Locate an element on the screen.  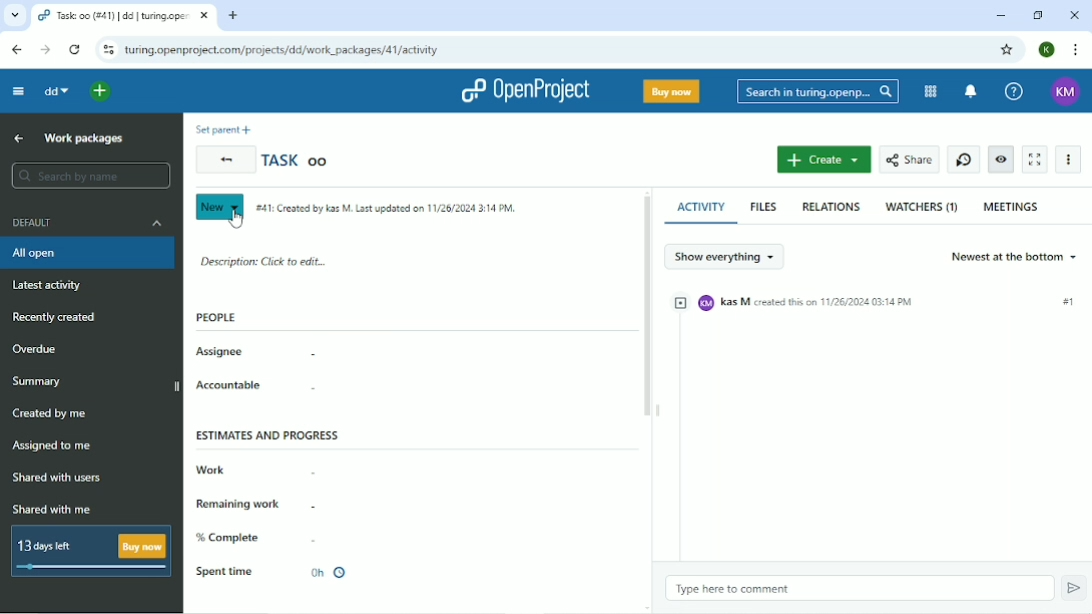
More is located at coordinates (1070, 158).